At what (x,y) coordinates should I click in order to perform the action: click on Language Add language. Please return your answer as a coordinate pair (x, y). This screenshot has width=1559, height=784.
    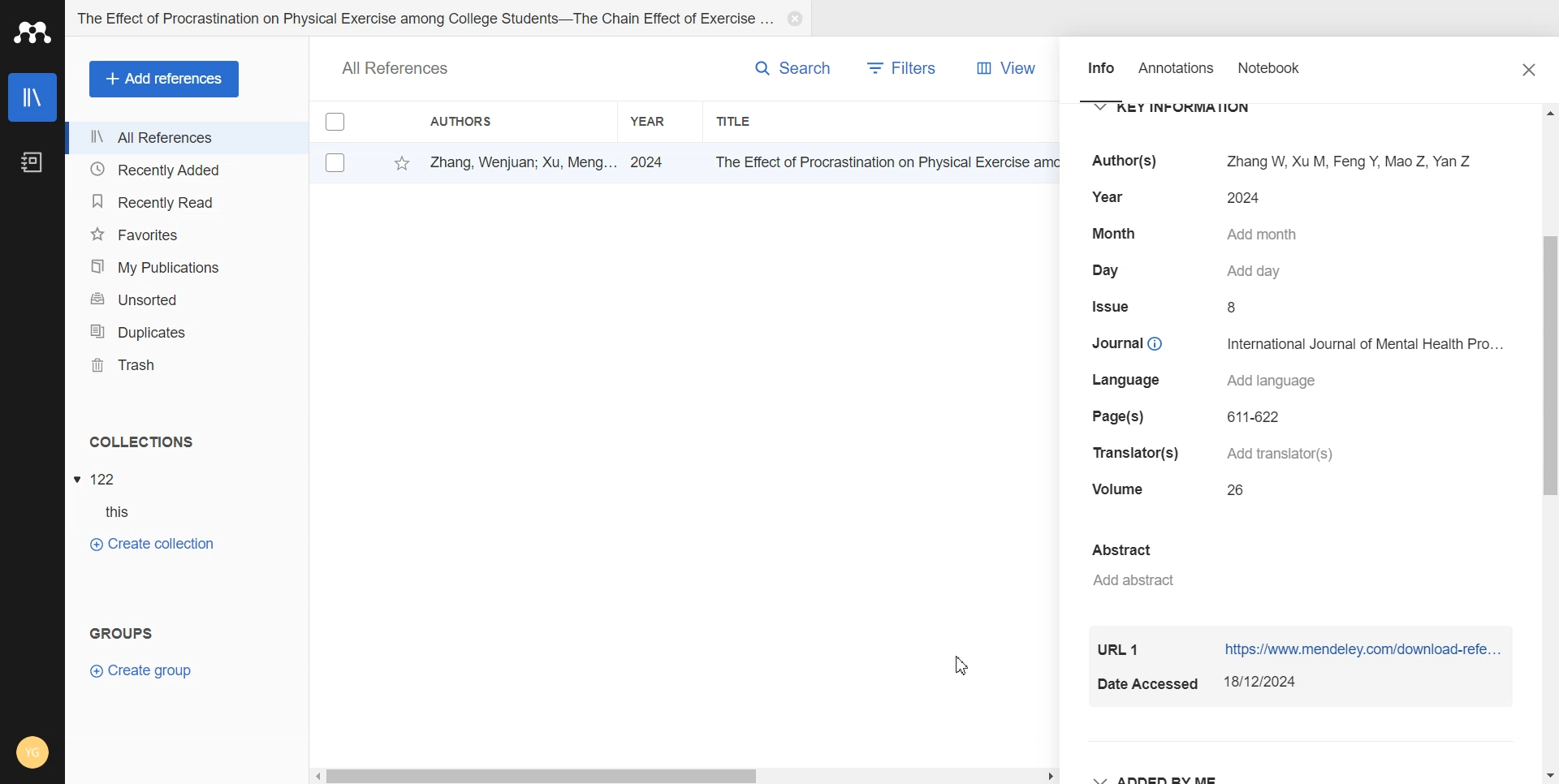
    Looking at the image, I should click on (1210, 381).